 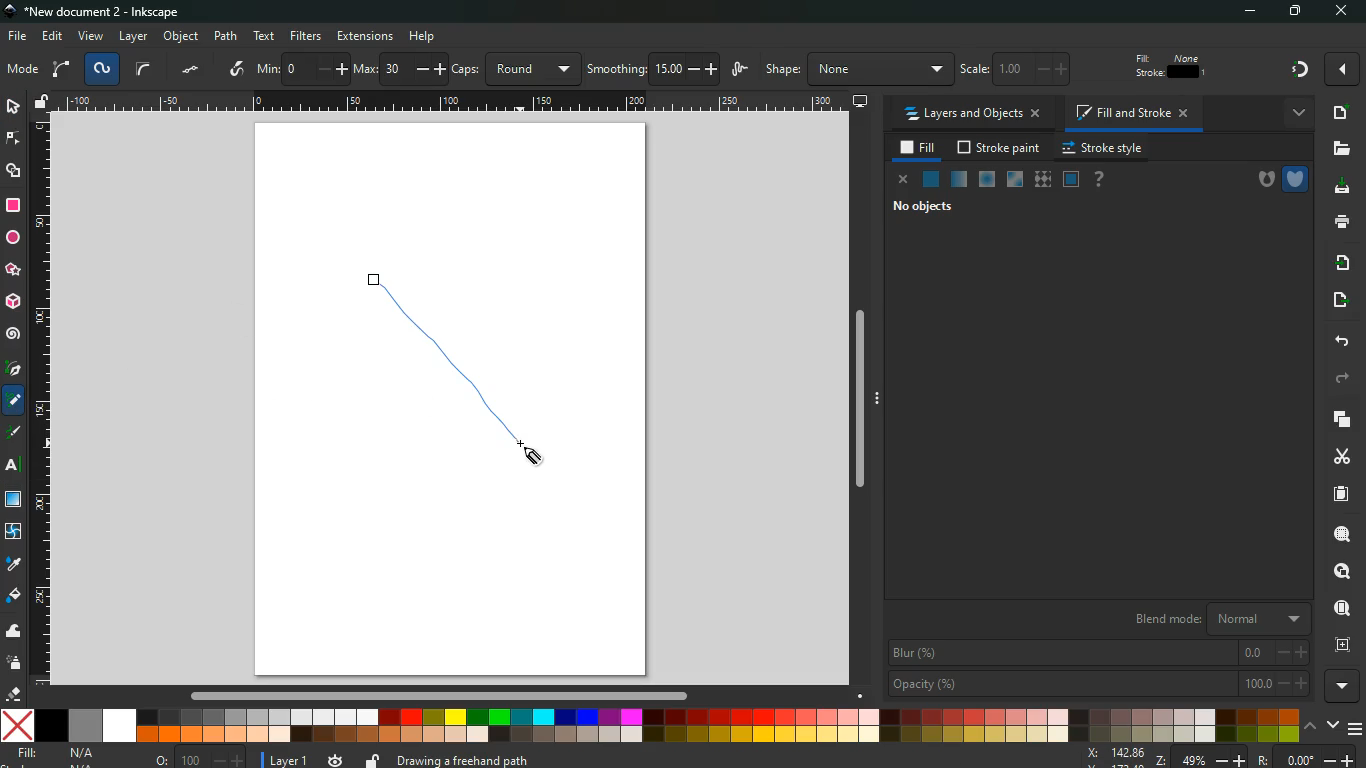 I want to click on fill, so click(x=919, y=148).